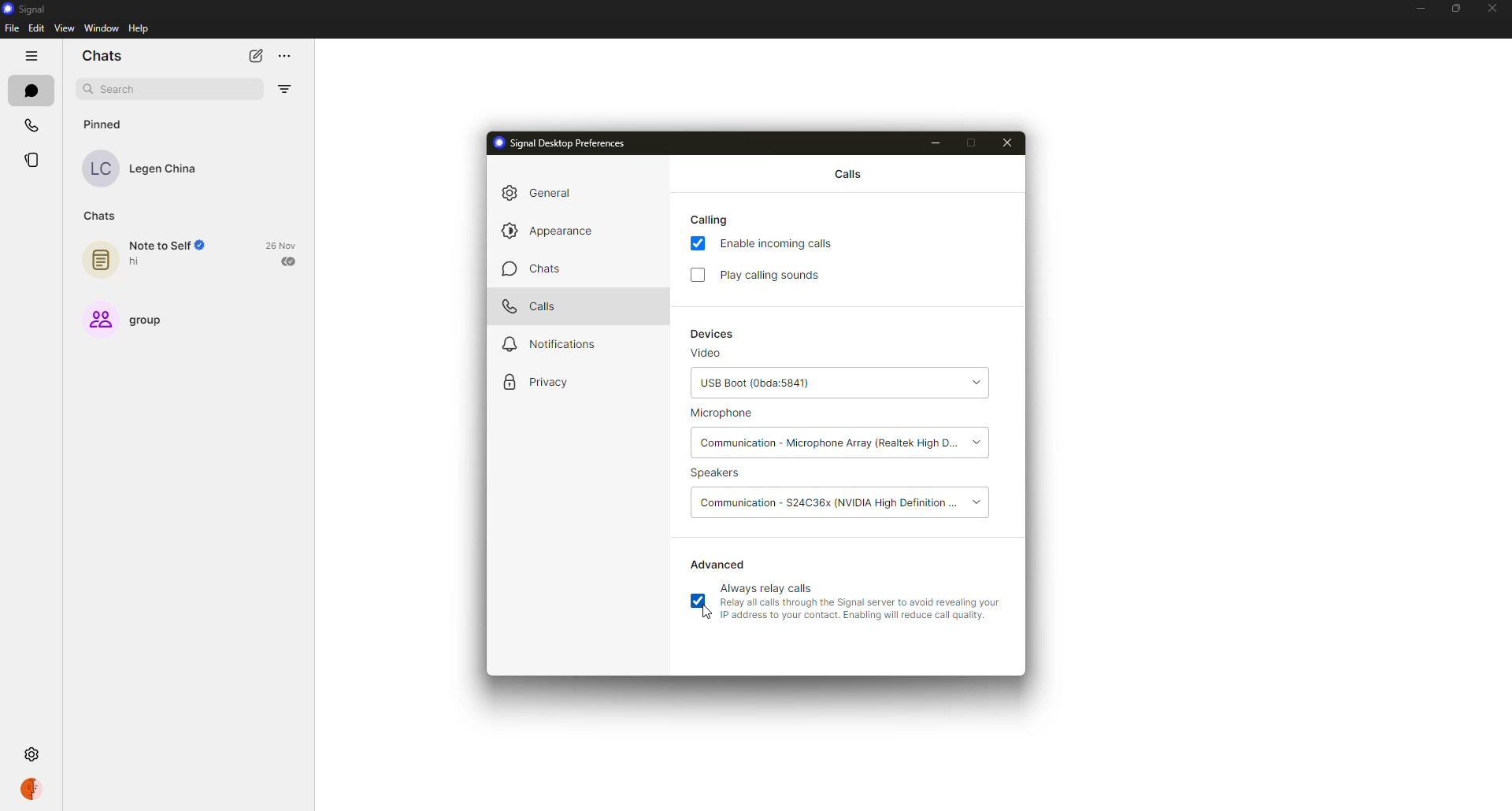 This screenshot has width=1512, height=811. I want to click on group, so click(98, 319).